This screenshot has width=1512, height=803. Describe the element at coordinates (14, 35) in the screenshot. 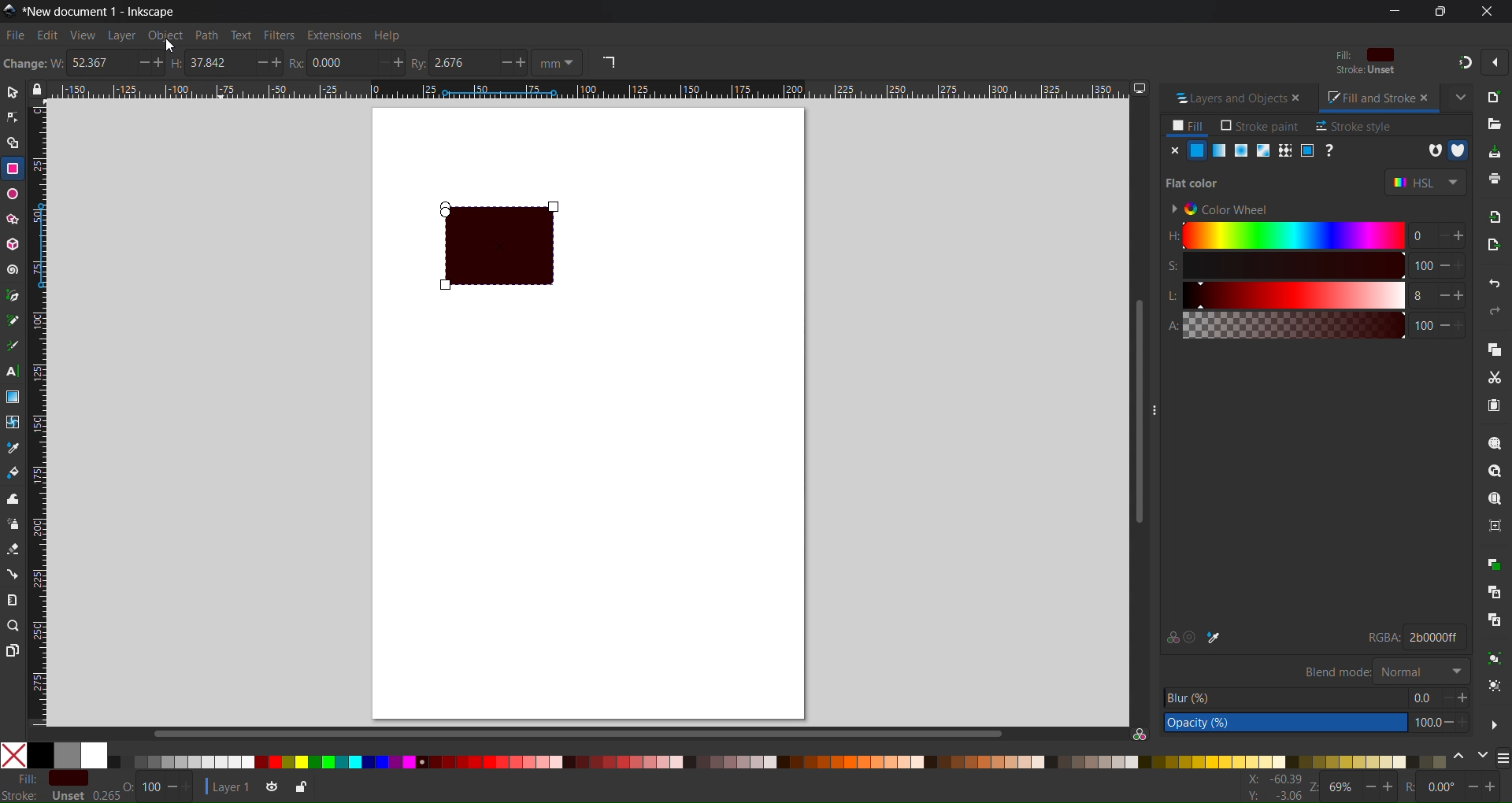

I see `File` at that location.